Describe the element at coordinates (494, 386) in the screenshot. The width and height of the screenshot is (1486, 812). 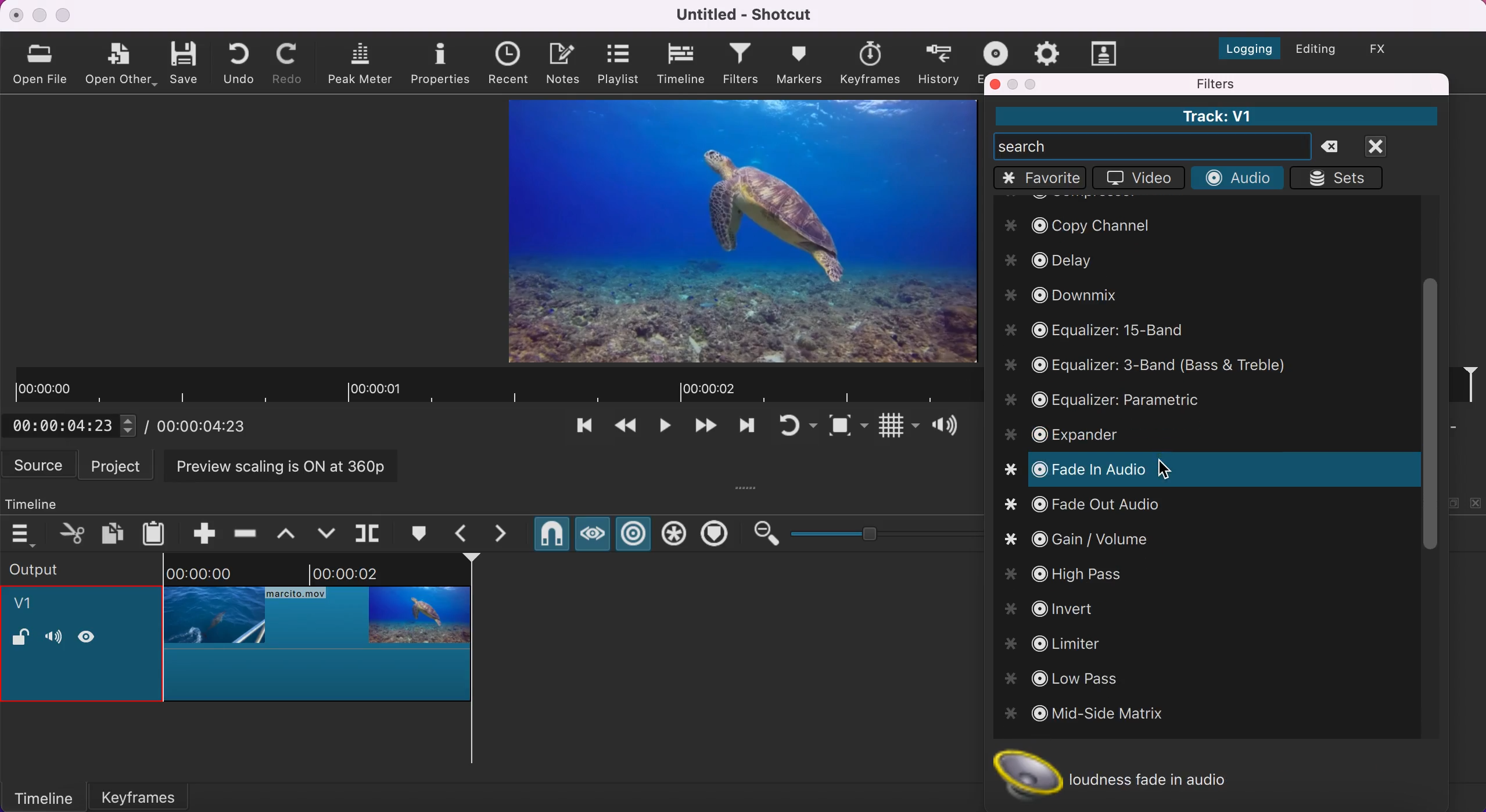
I see `clip duration` at that location.